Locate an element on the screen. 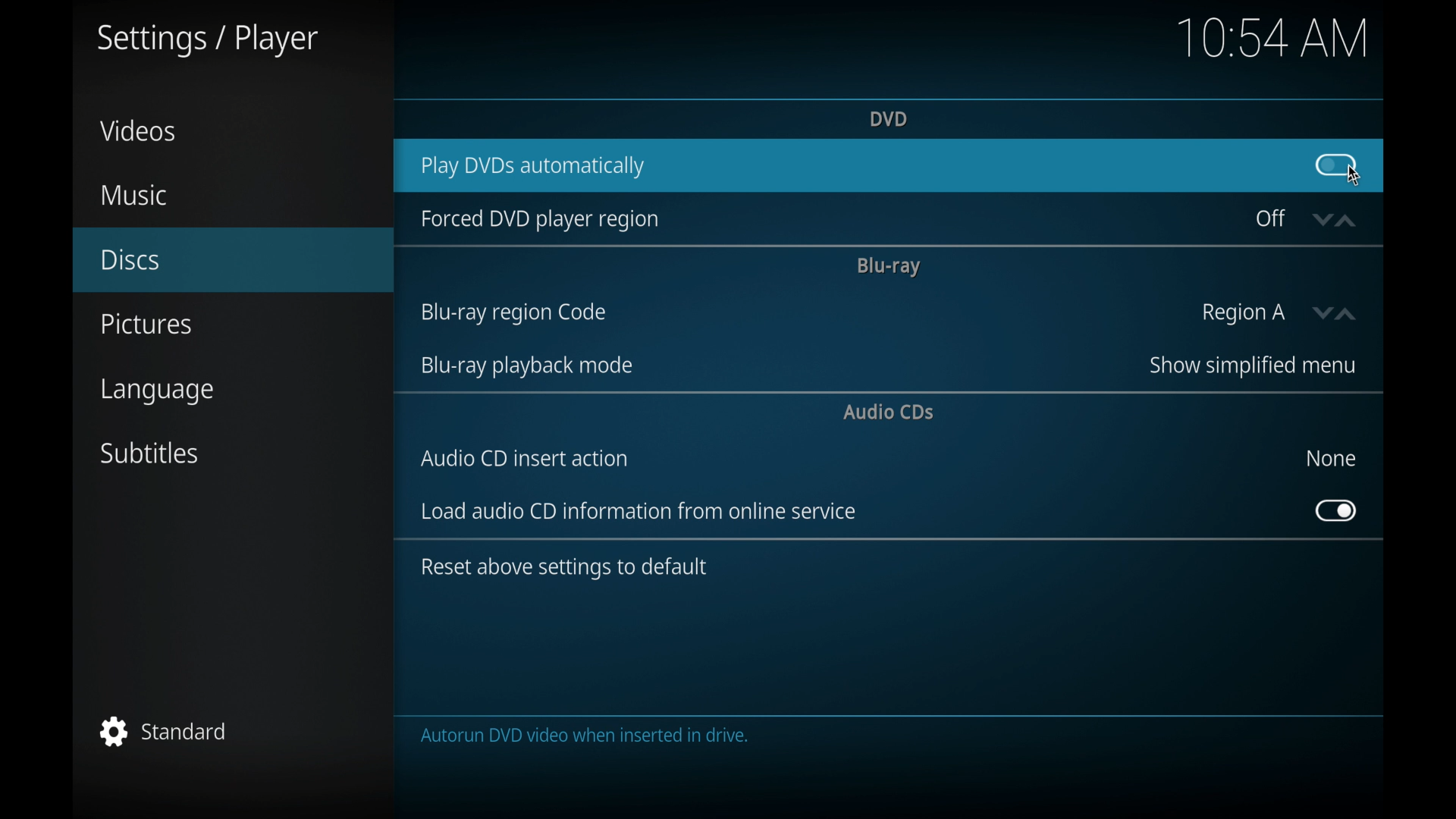  standard is located at coordinates (164, 731).